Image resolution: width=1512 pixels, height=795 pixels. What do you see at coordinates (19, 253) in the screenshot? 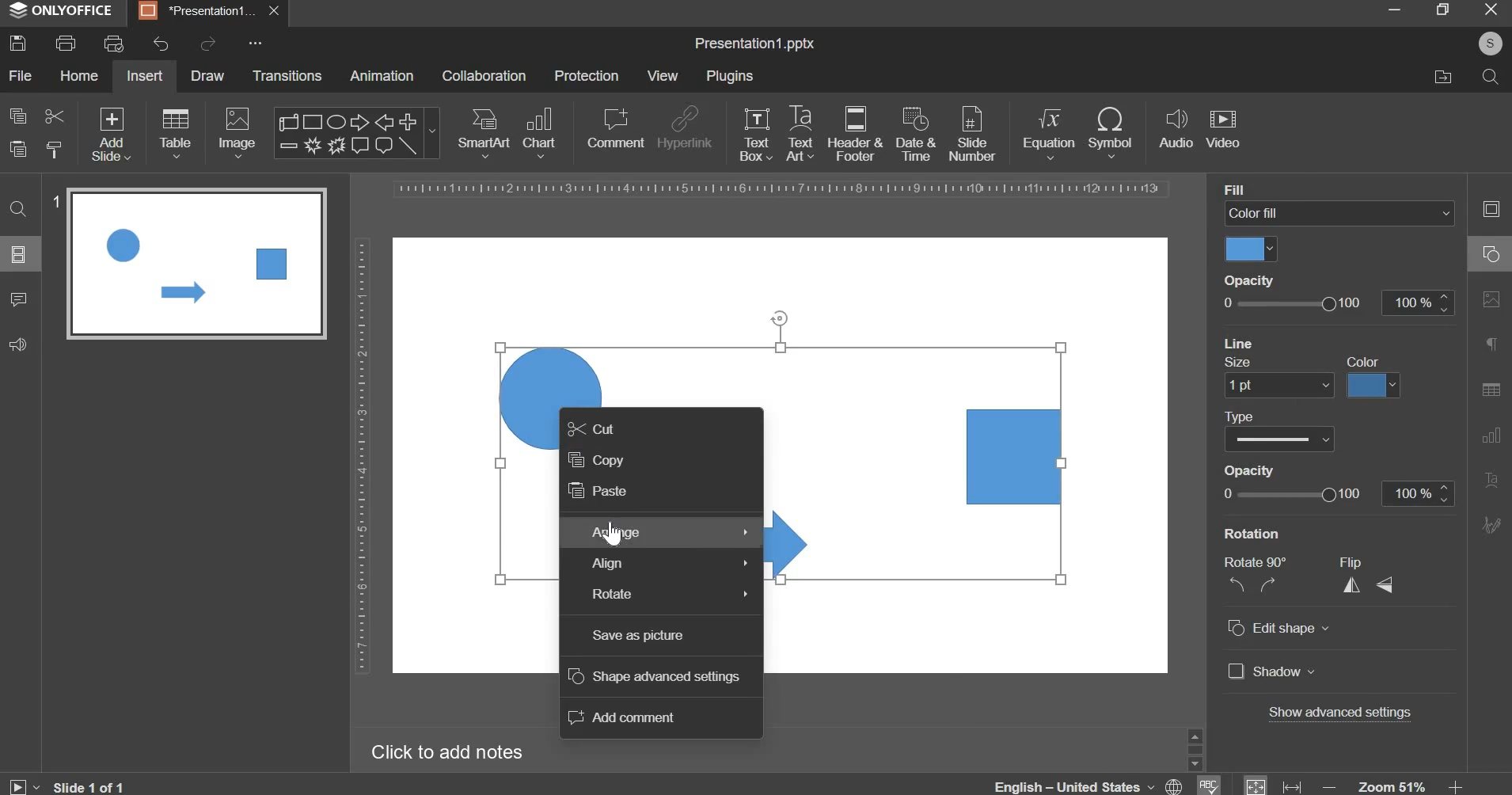
I see `slide` at bounding box center [19, 253].